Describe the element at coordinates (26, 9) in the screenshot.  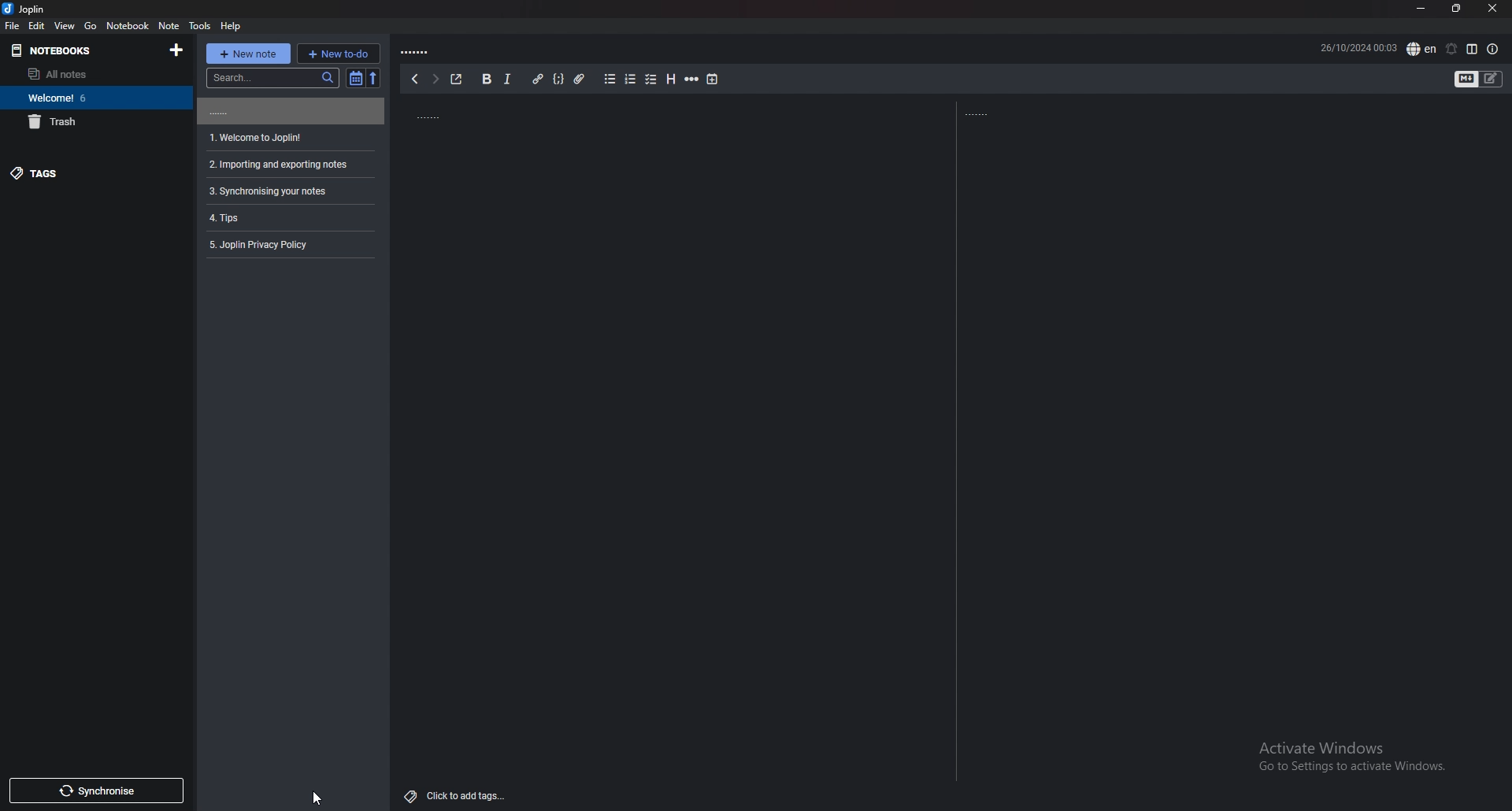
I see `Joplin` at that location.